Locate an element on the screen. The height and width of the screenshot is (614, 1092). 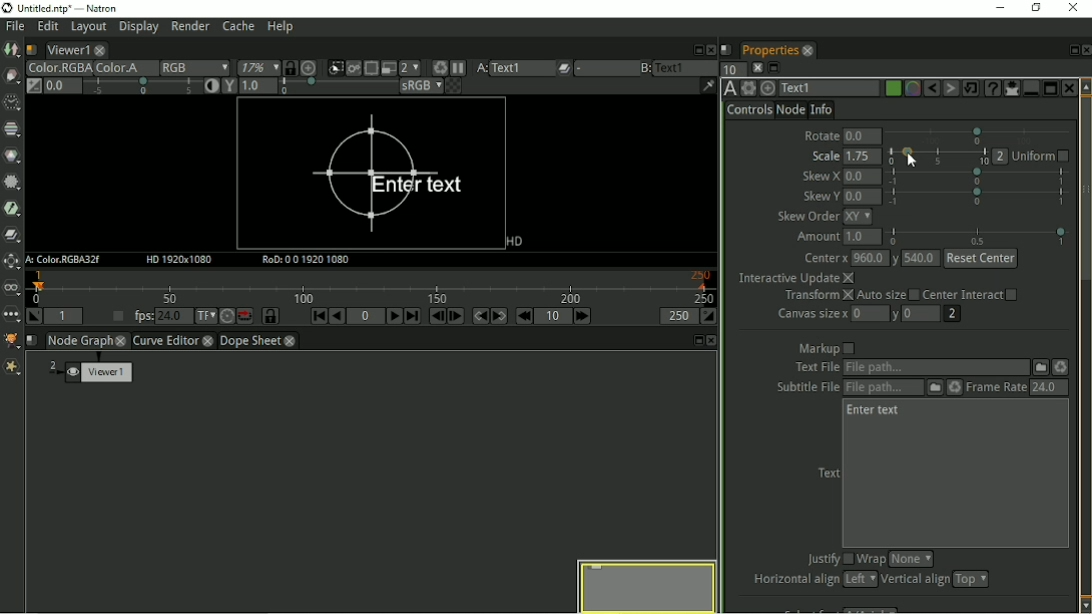
Maximize is located at coordinates (1050, 89).